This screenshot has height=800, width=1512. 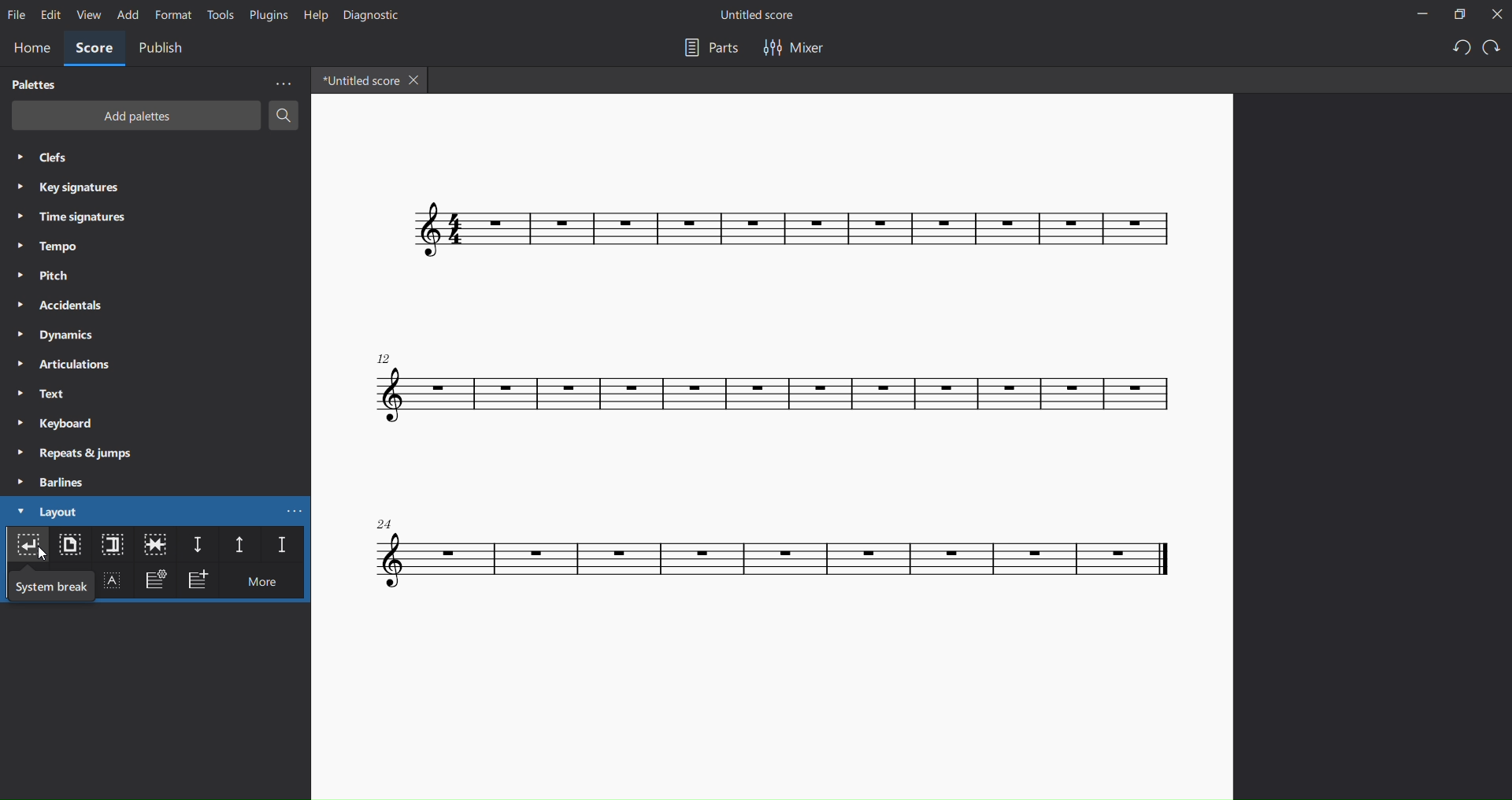 I want to click on close, so click(x=1495, y=15).